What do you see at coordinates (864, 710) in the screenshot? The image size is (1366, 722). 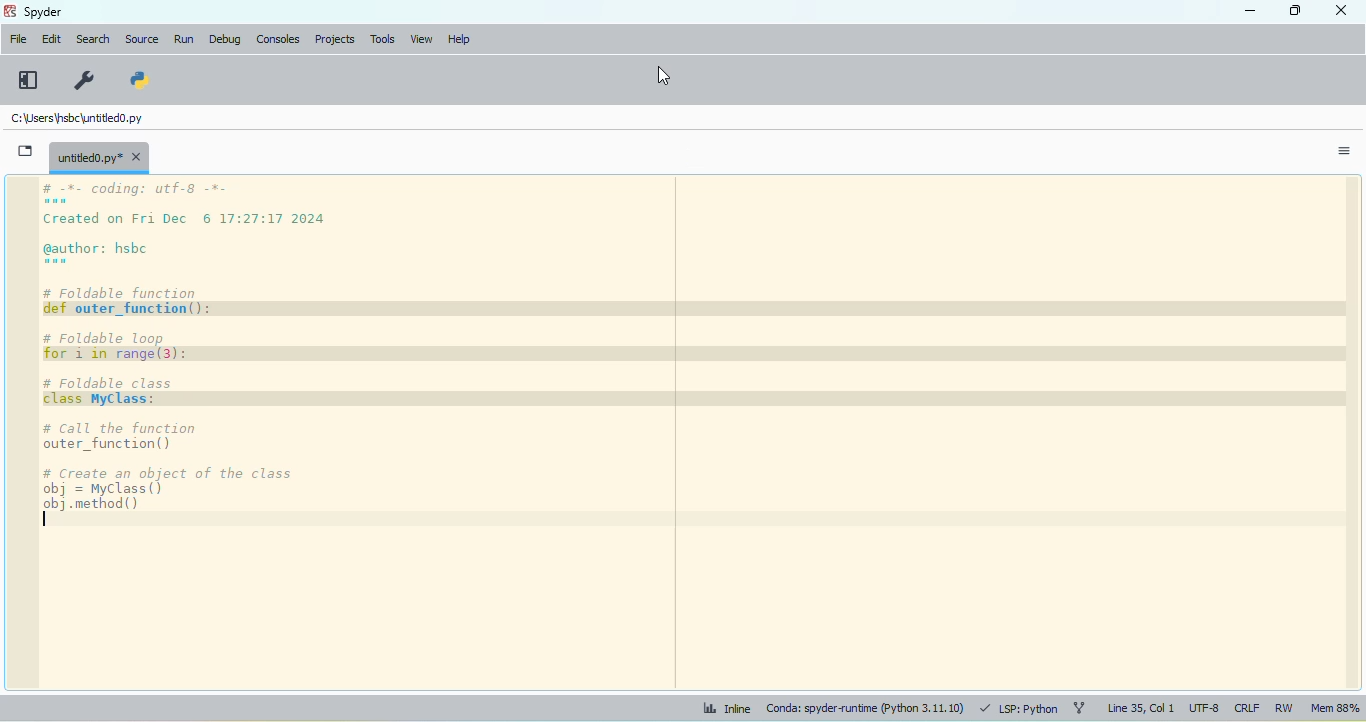 I see `conda: spyder-runtime (python 3. 11. 10)` at bounding box center [864, 710].